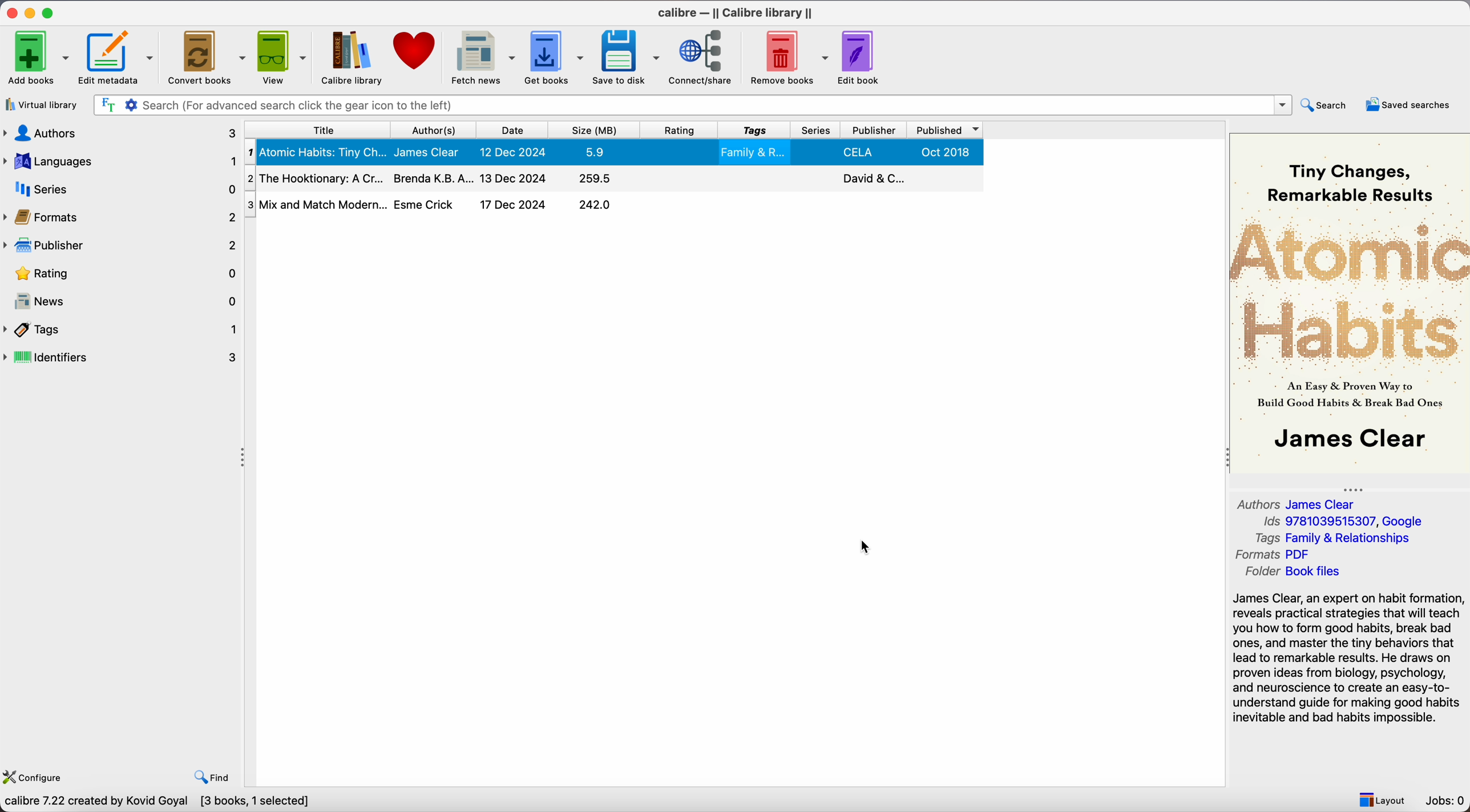  I want to click on publisher, so click(875, 130).